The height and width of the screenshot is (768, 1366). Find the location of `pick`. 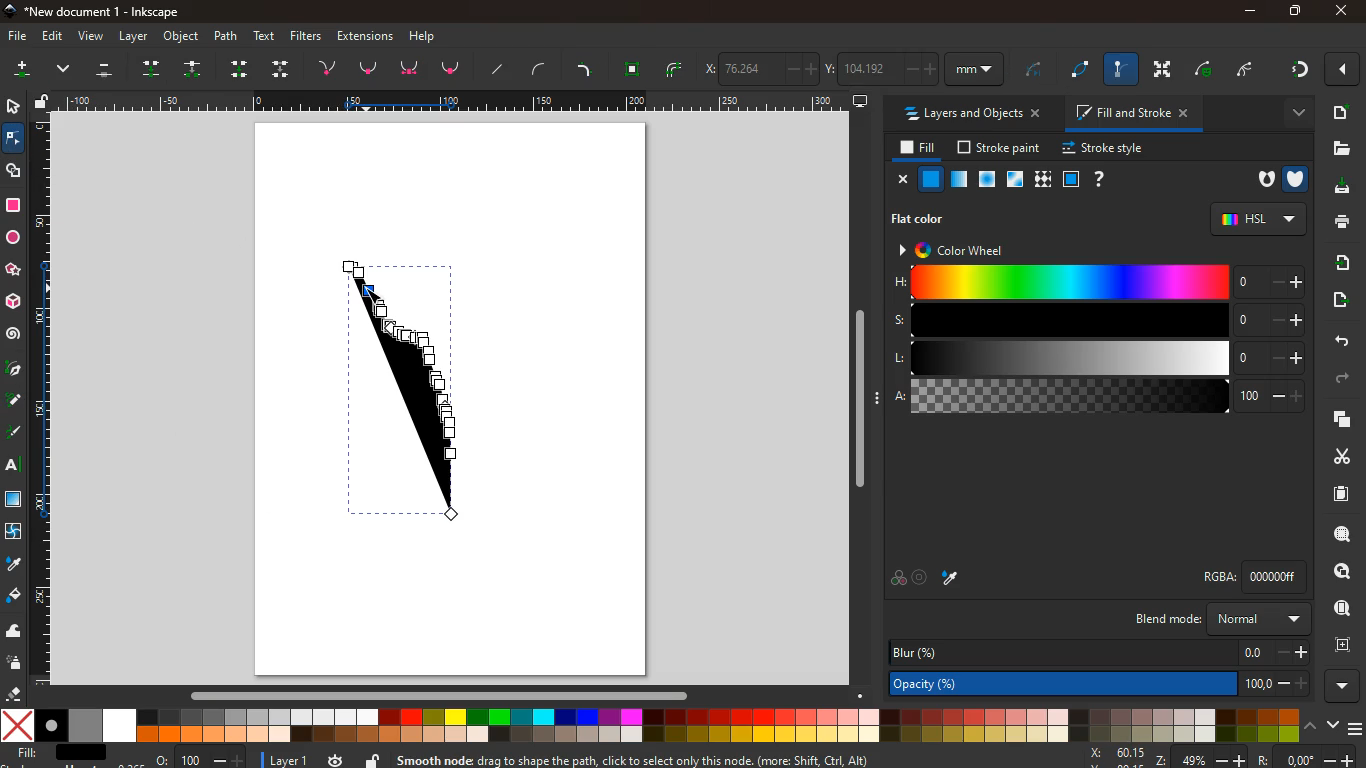

pick is located at coordinates (13, 370).